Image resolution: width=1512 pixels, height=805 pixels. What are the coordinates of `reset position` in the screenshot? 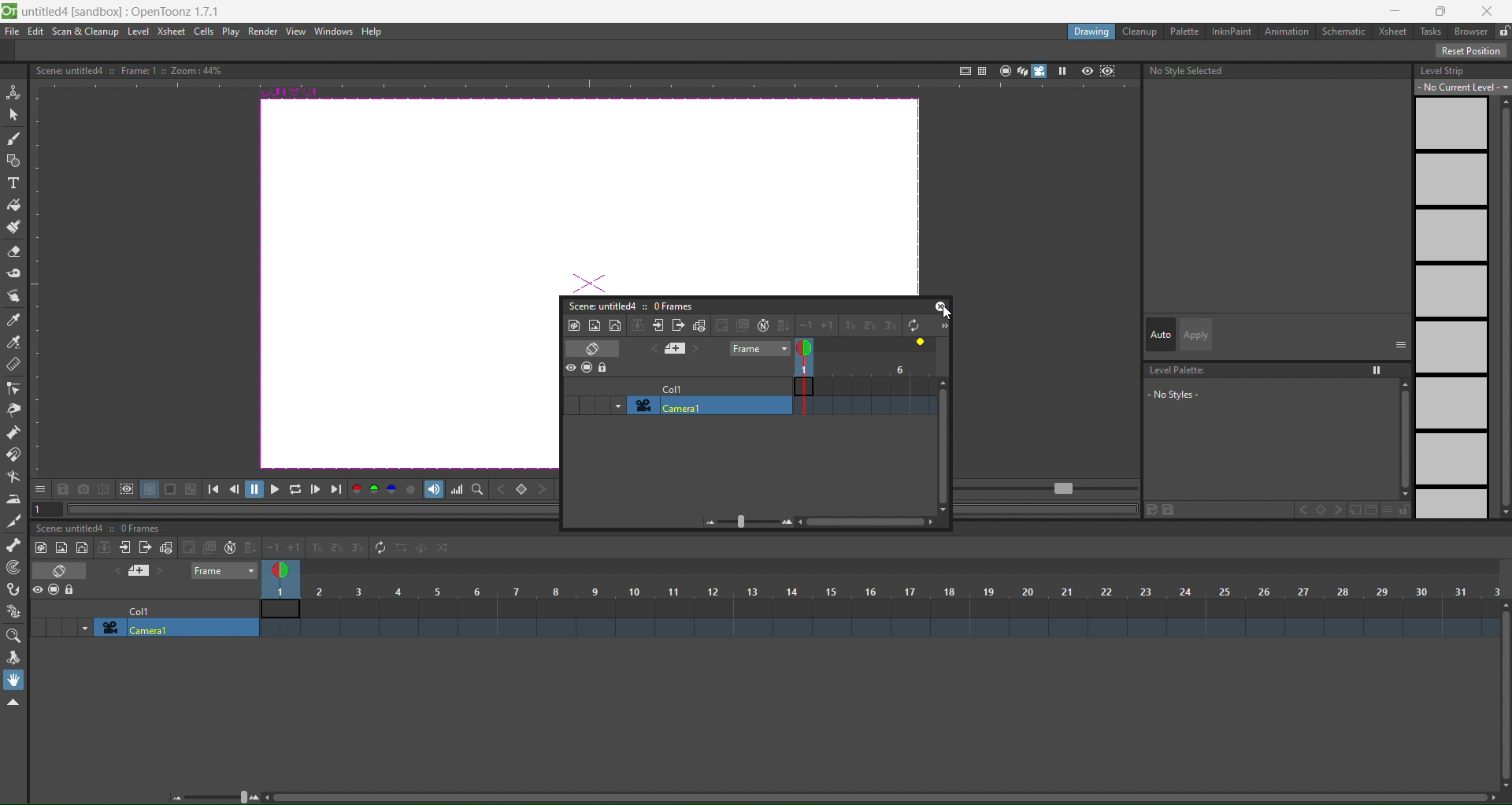 It's located at (1473, 51).